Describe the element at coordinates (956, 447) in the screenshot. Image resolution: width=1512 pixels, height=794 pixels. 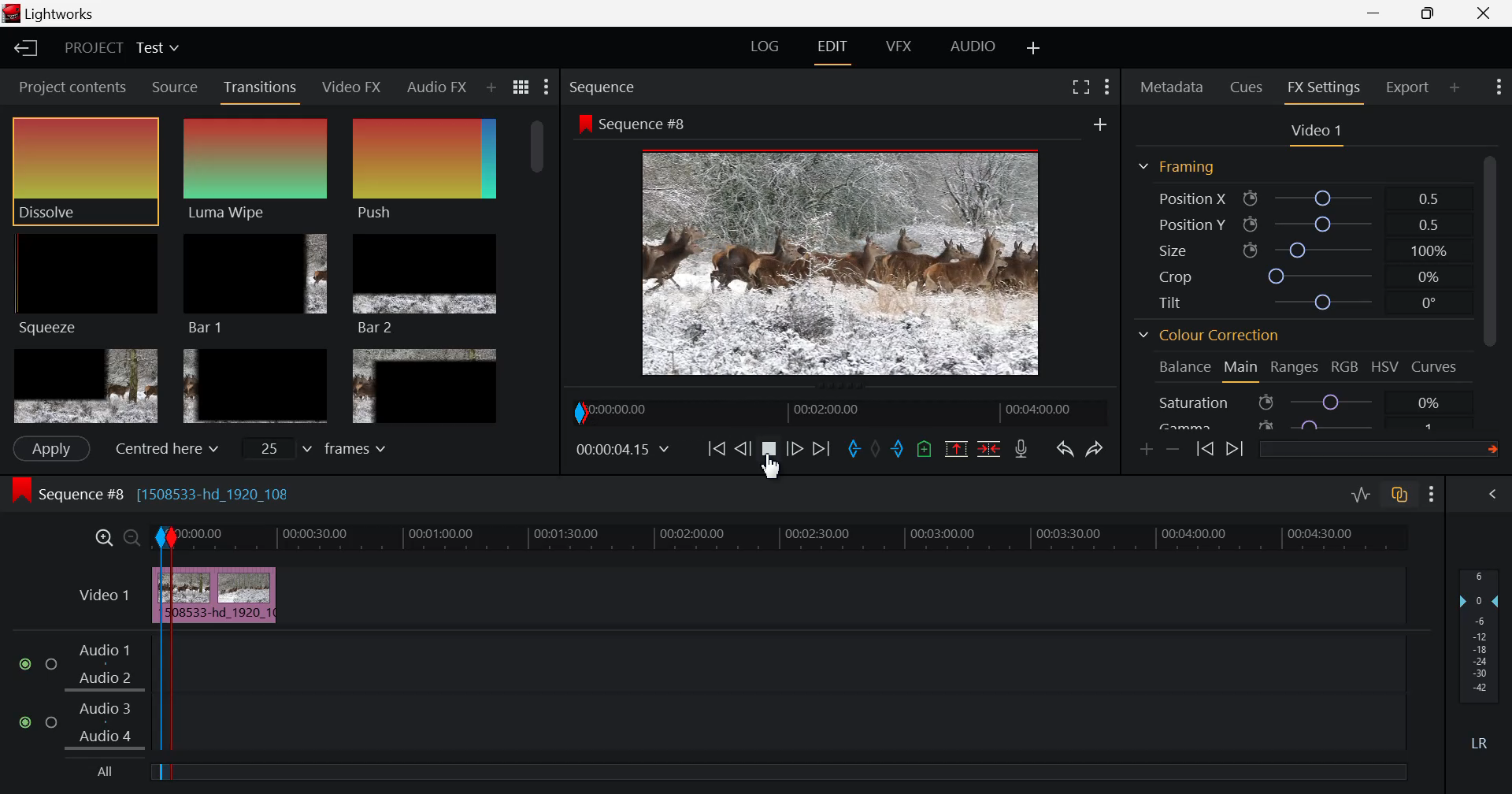
I see `Remove the marked section` at that location.